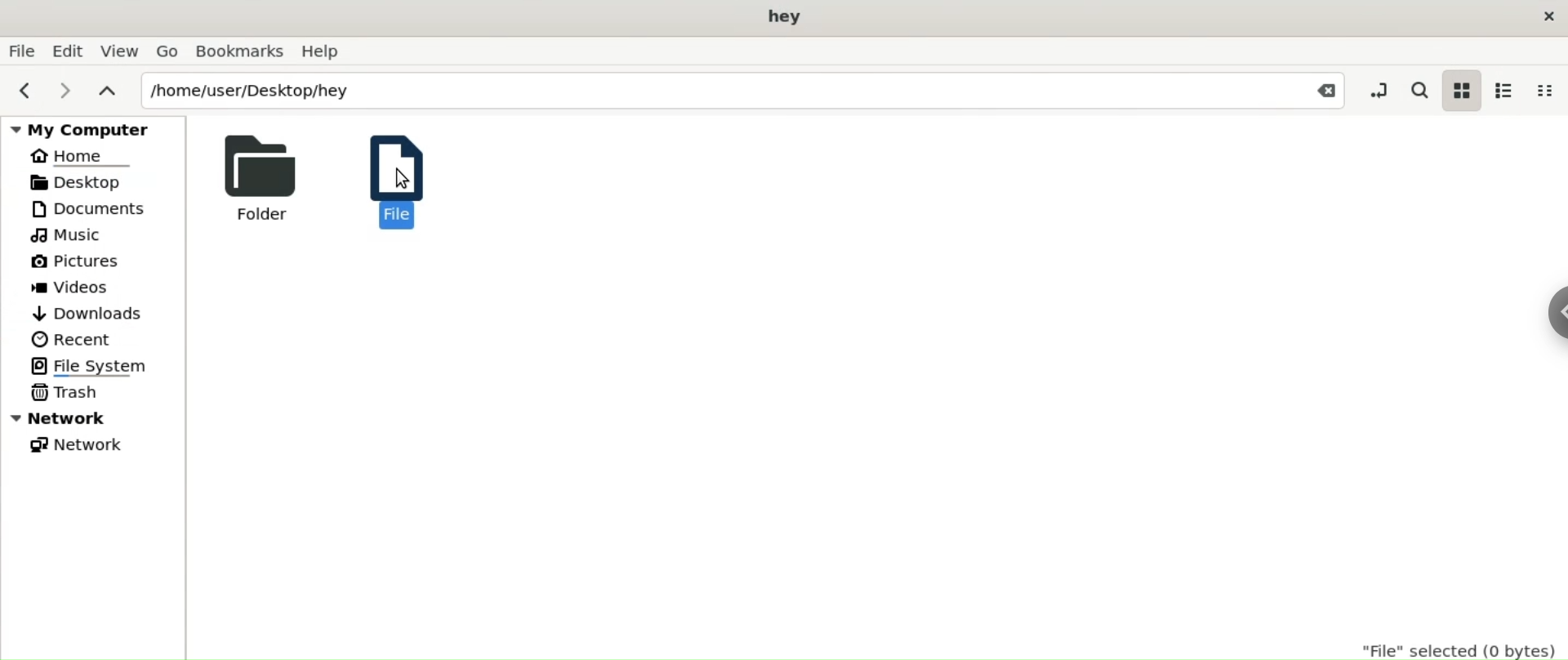 The height and width of the screenshot is (660, 1568). Describe the element at coordinates (395, 188) in the screenshot. I see `Cursor` at that location.